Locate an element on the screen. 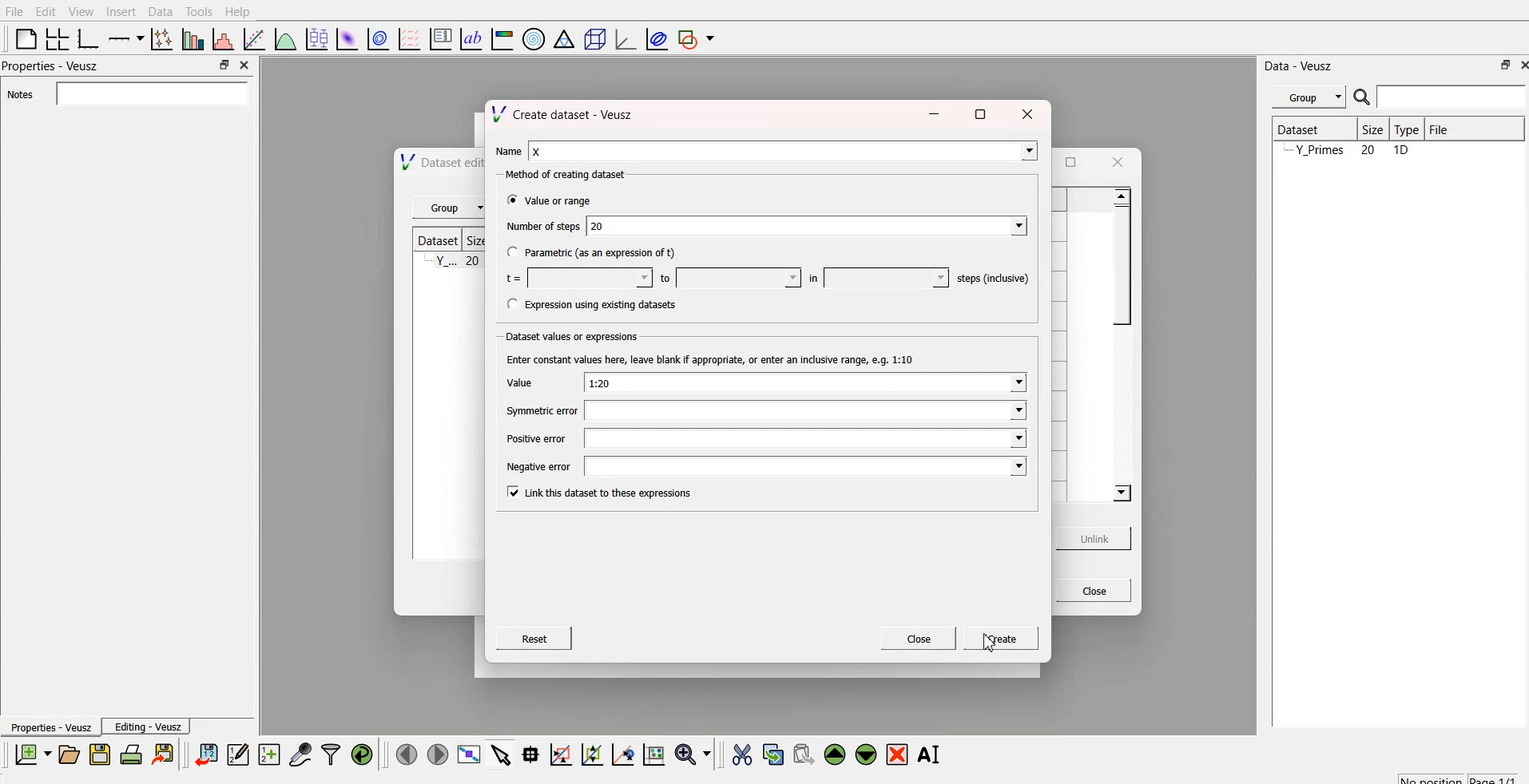  close is located at coordinates (1026, 116).